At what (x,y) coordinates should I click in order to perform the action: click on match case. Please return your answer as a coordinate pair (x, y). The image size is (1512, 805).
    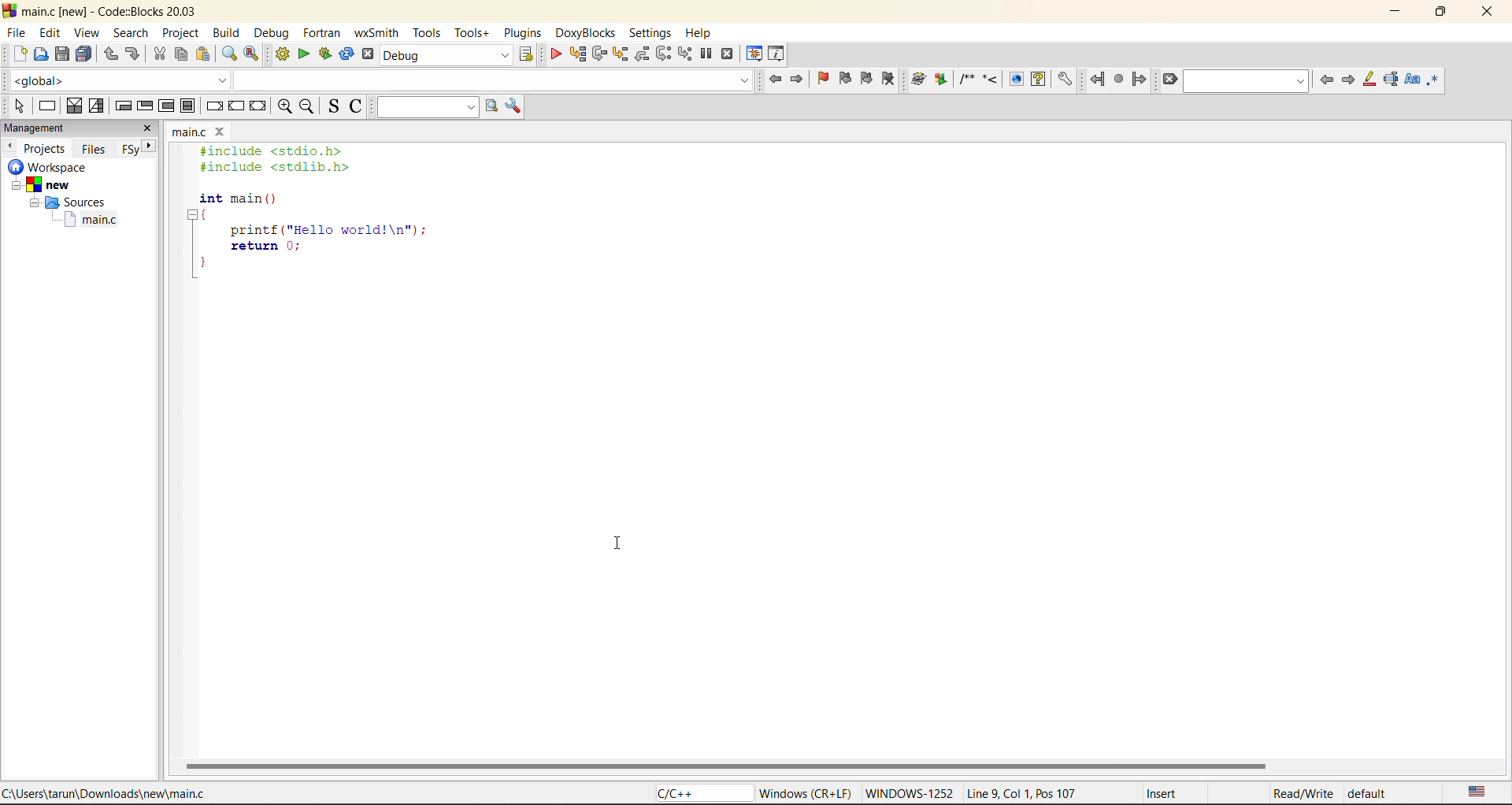
    Looking at the image, I should click on (1412, 81).